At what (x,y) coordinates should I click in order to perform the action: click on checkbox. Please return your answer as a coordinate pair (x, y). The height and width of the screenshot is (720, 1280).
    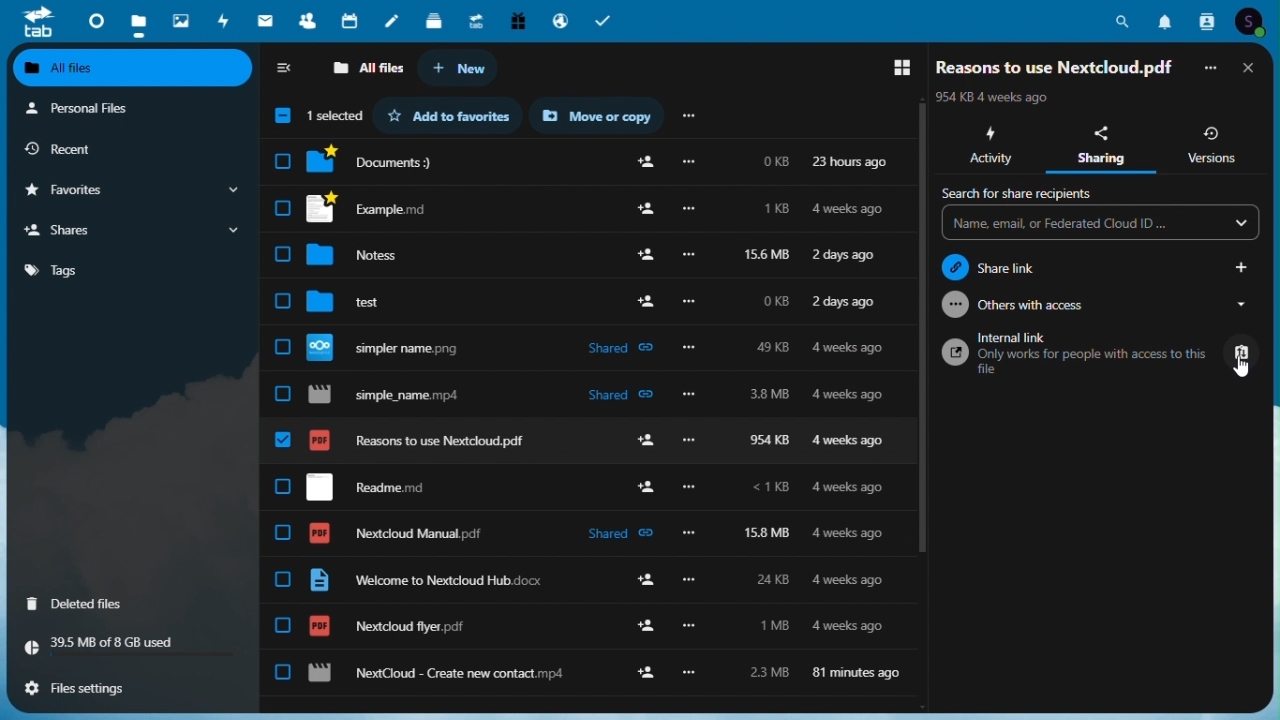
    Looking at the image, I should click on (285, 441).